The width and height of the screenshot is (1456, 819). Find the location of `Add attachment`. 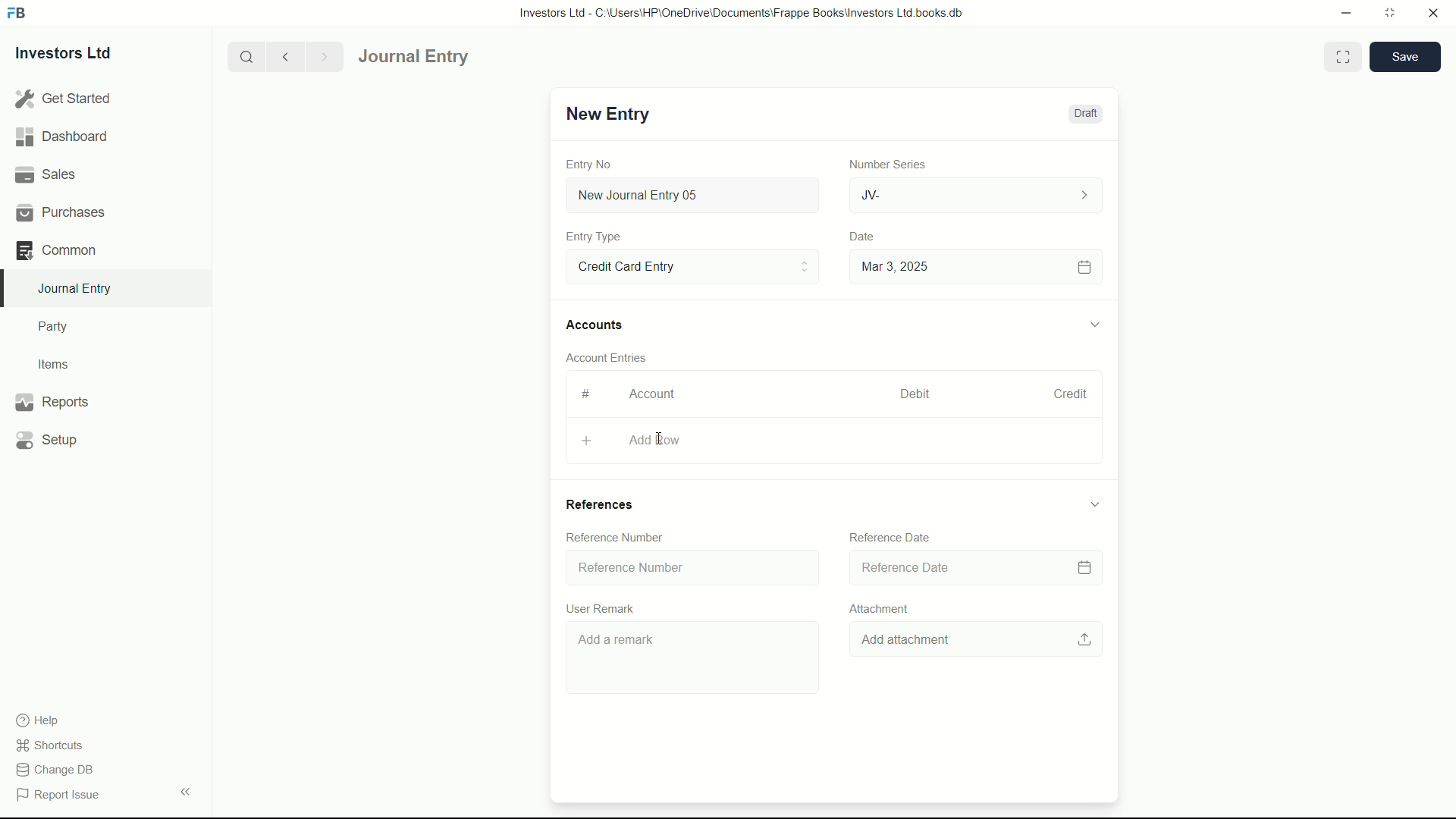

Add attachment is located at coordinates (976, 641).